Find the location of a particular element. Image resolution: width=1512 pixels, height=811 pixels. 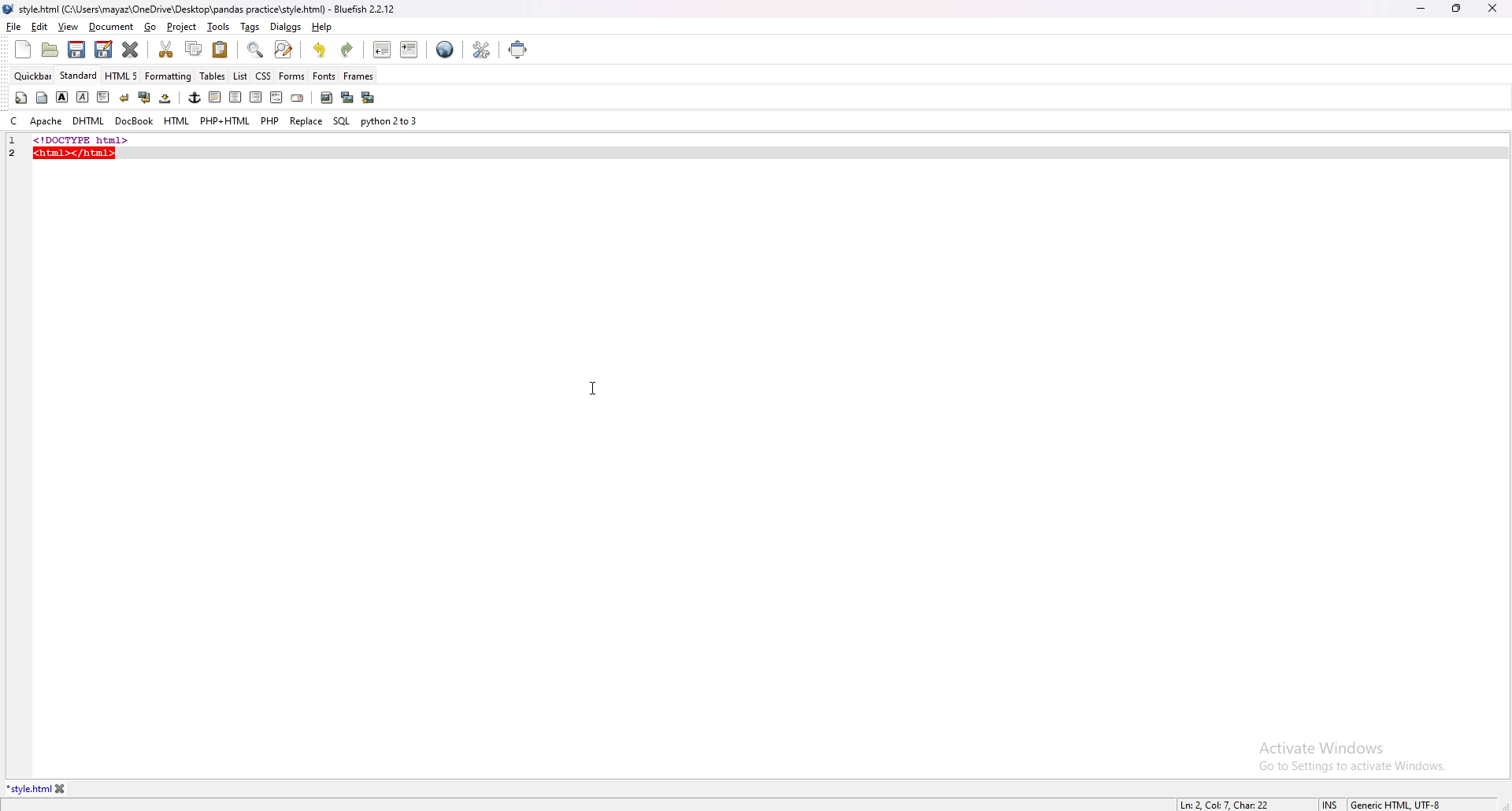

paste is located at coordinates (220, 49).